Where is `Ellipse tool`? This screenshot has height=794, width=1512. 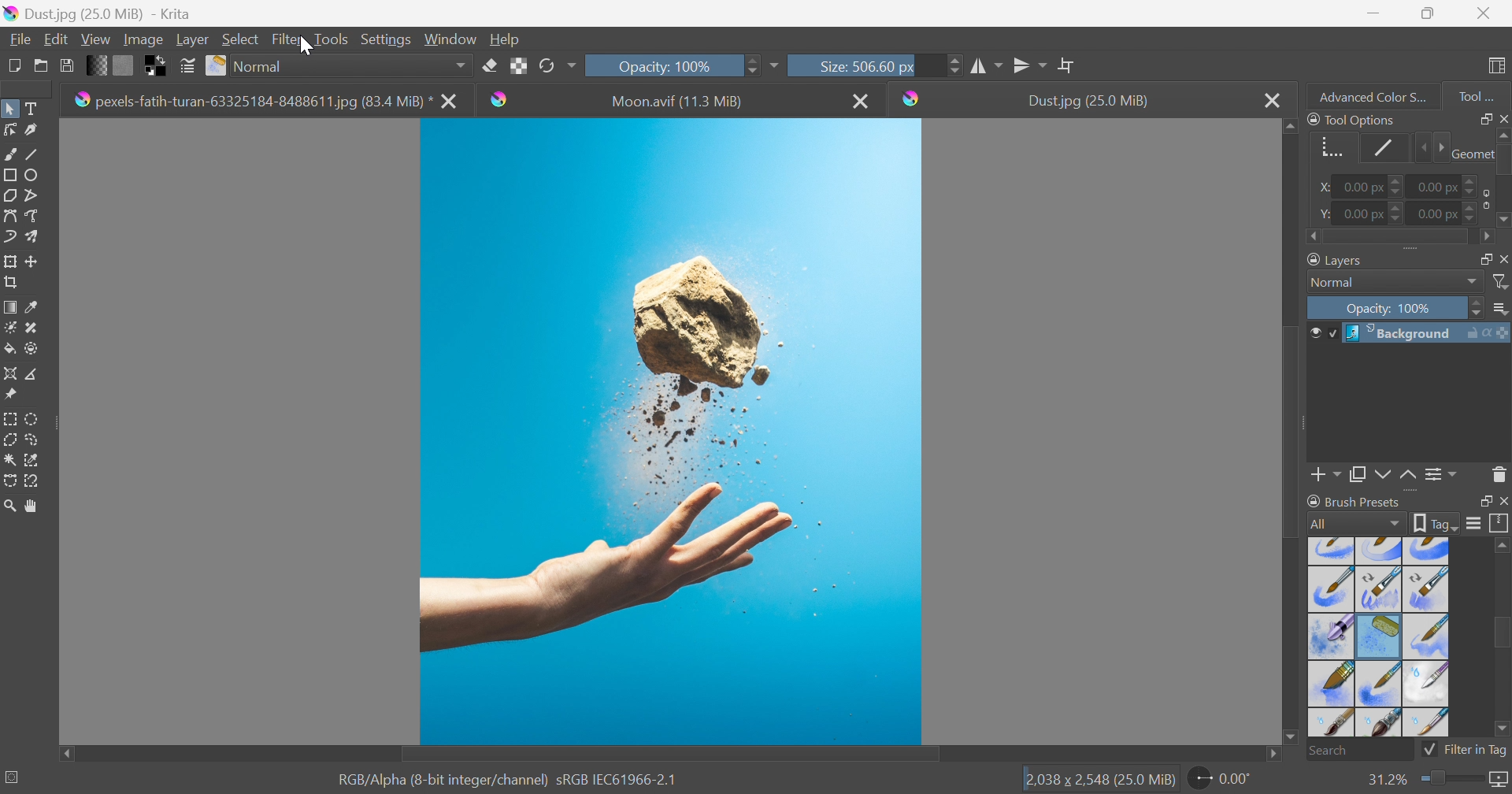 Ellipse tool is located at coordinates (36, 174).